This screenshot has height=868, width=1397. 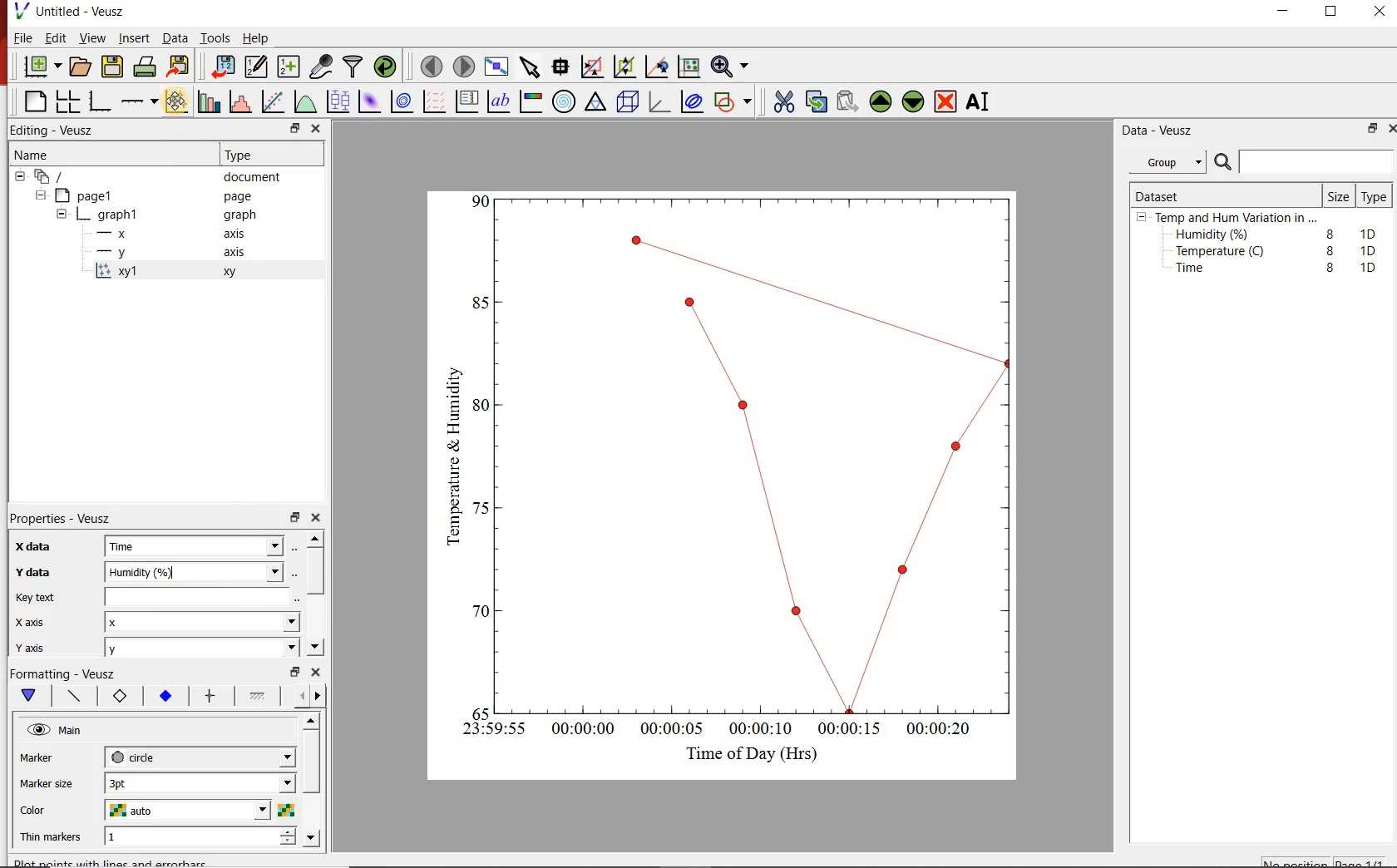 I want to click on 00:00:00, so click(x=580, y=731).